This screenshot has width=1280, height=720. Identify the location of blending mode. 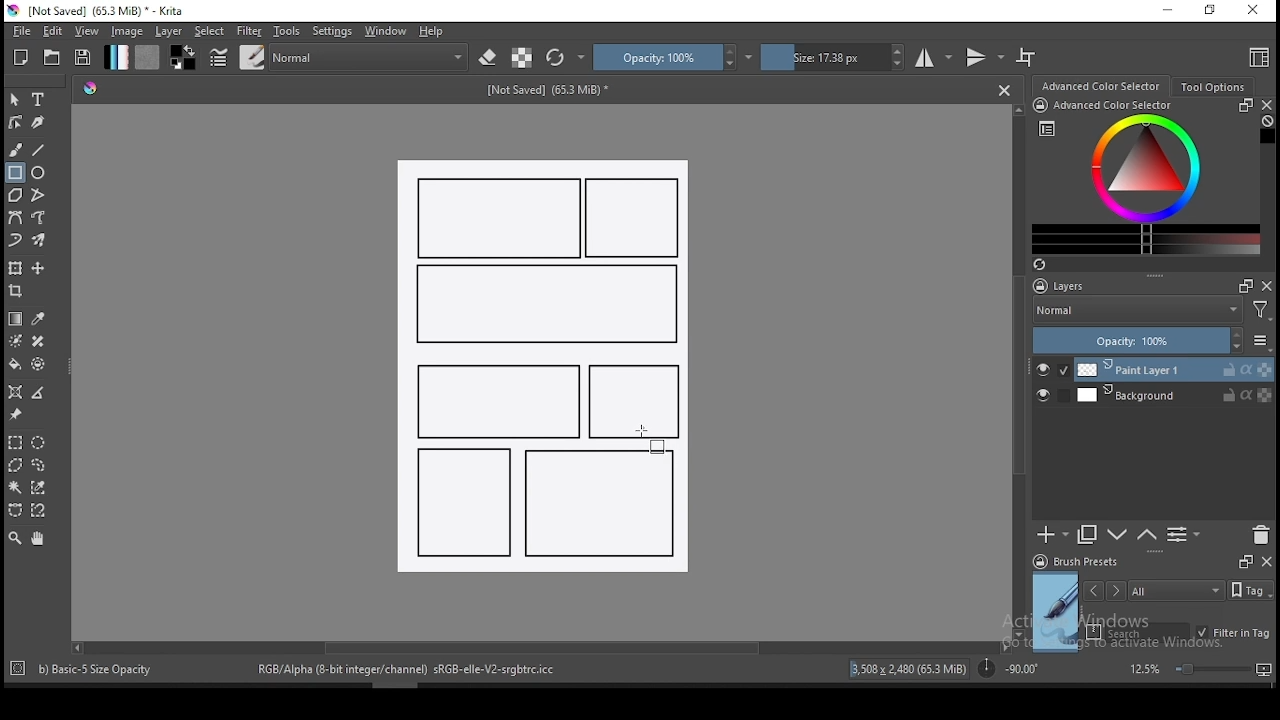
(1136, 312).